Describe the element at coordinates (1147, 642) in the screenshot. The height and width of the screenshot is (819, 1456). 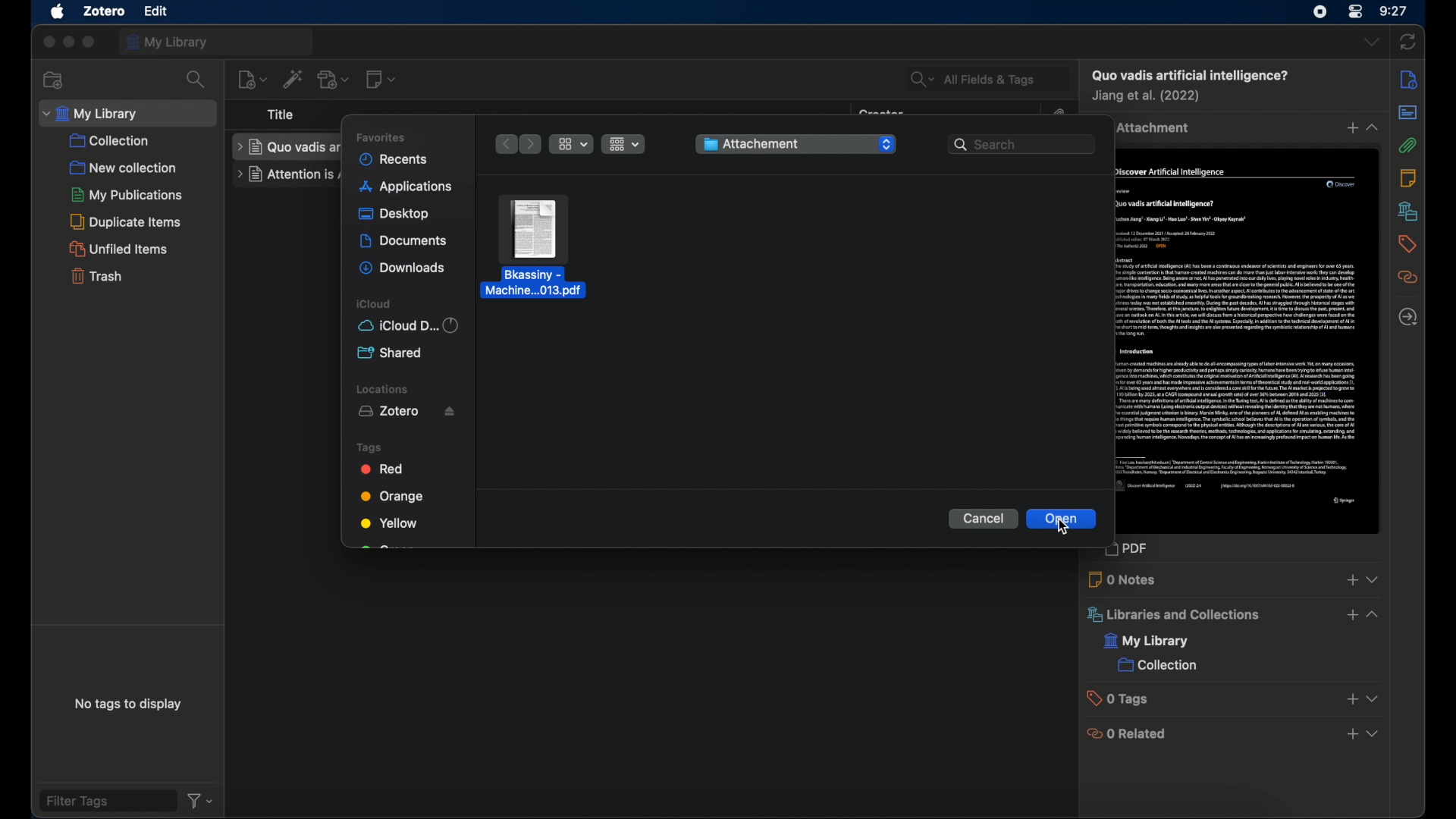
I see `my library` at that location.